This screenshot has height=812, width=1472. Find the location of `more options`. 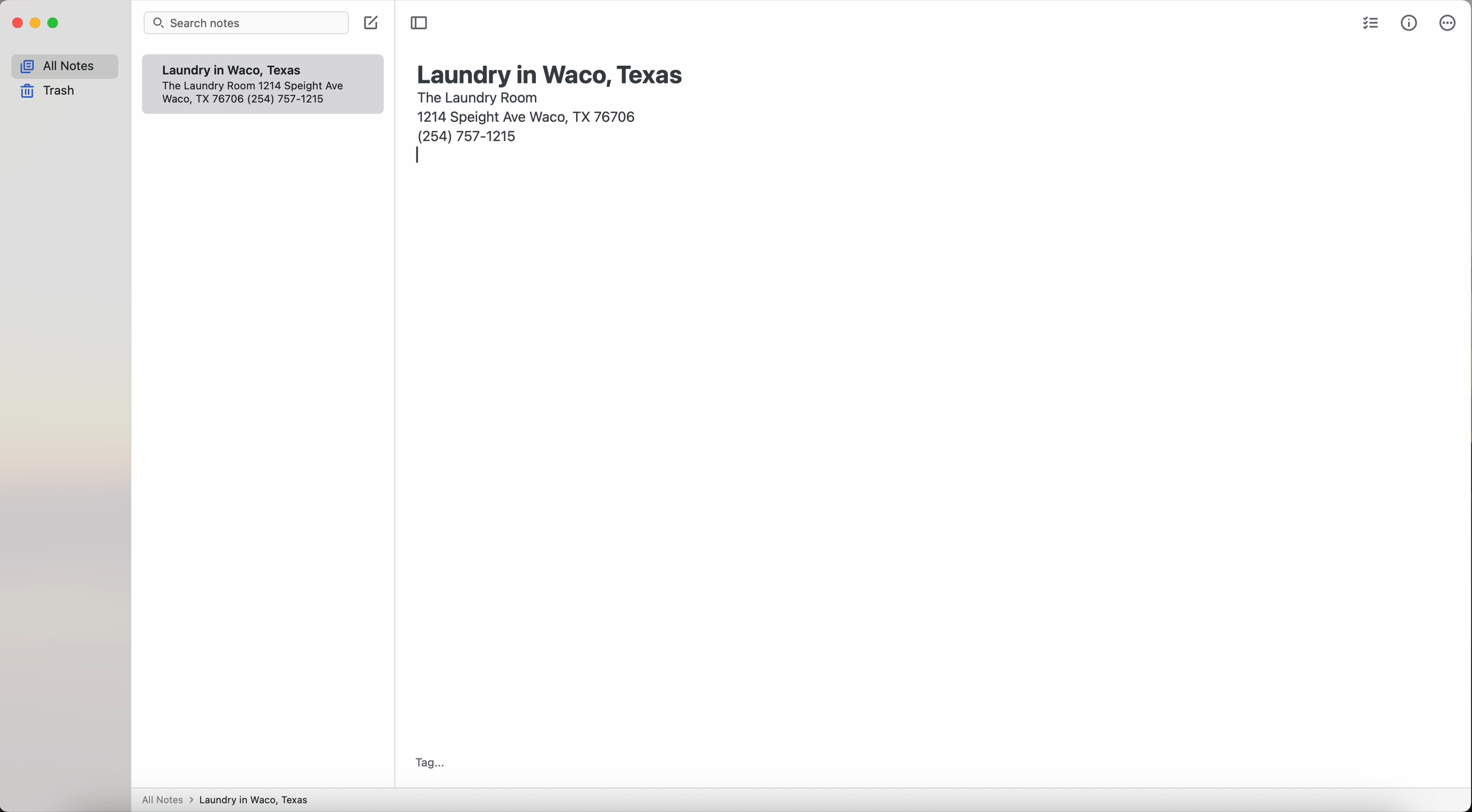

more options is located at coordinates (1446, 23).